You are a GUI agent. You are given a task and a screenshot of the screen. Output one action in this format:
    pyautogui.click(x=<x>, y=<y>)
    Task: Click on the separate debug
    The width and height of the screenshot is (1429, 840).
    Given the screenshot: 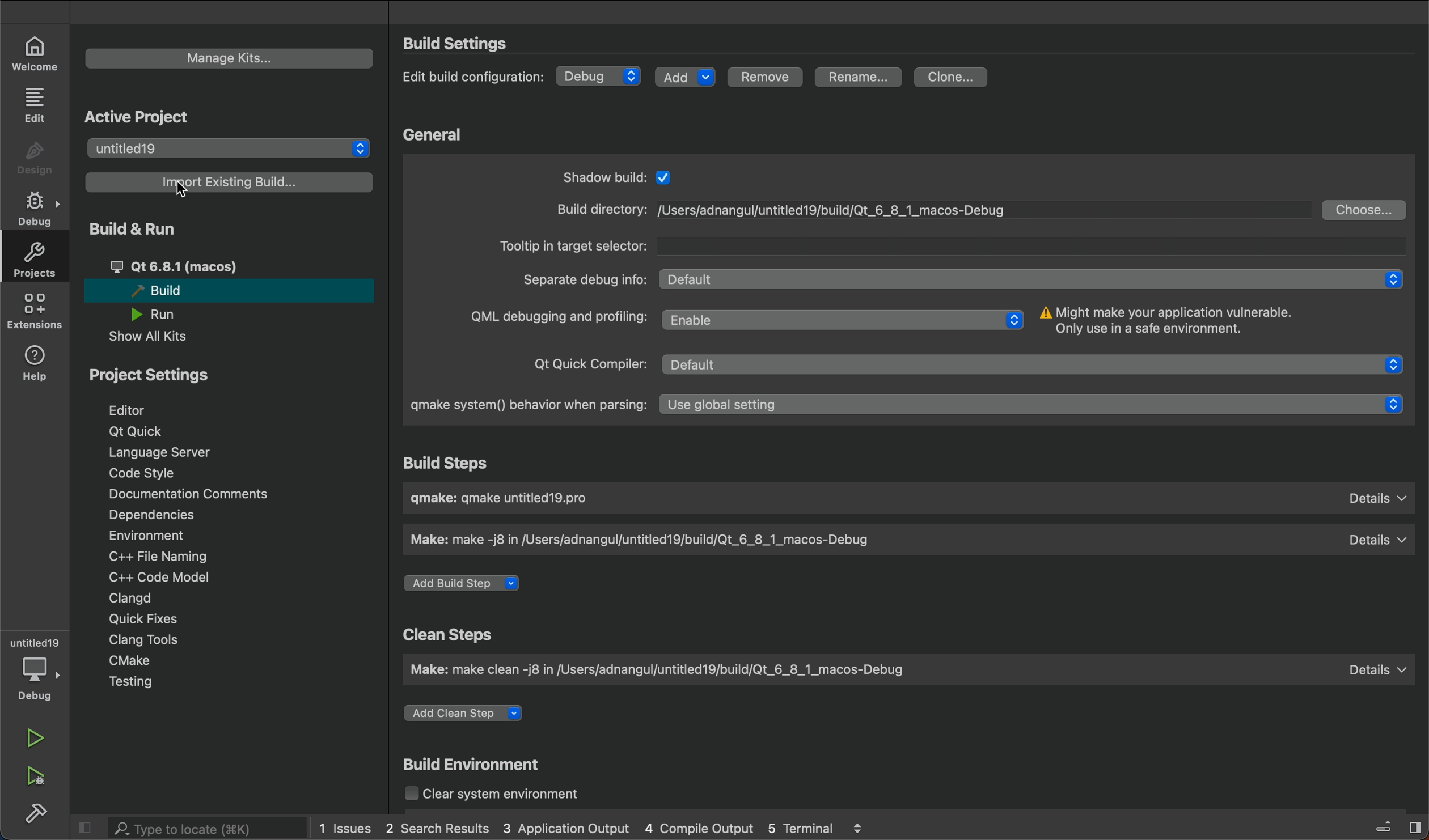 What is the action you would take?
    pyautogui.click(x=959, y=279)
    